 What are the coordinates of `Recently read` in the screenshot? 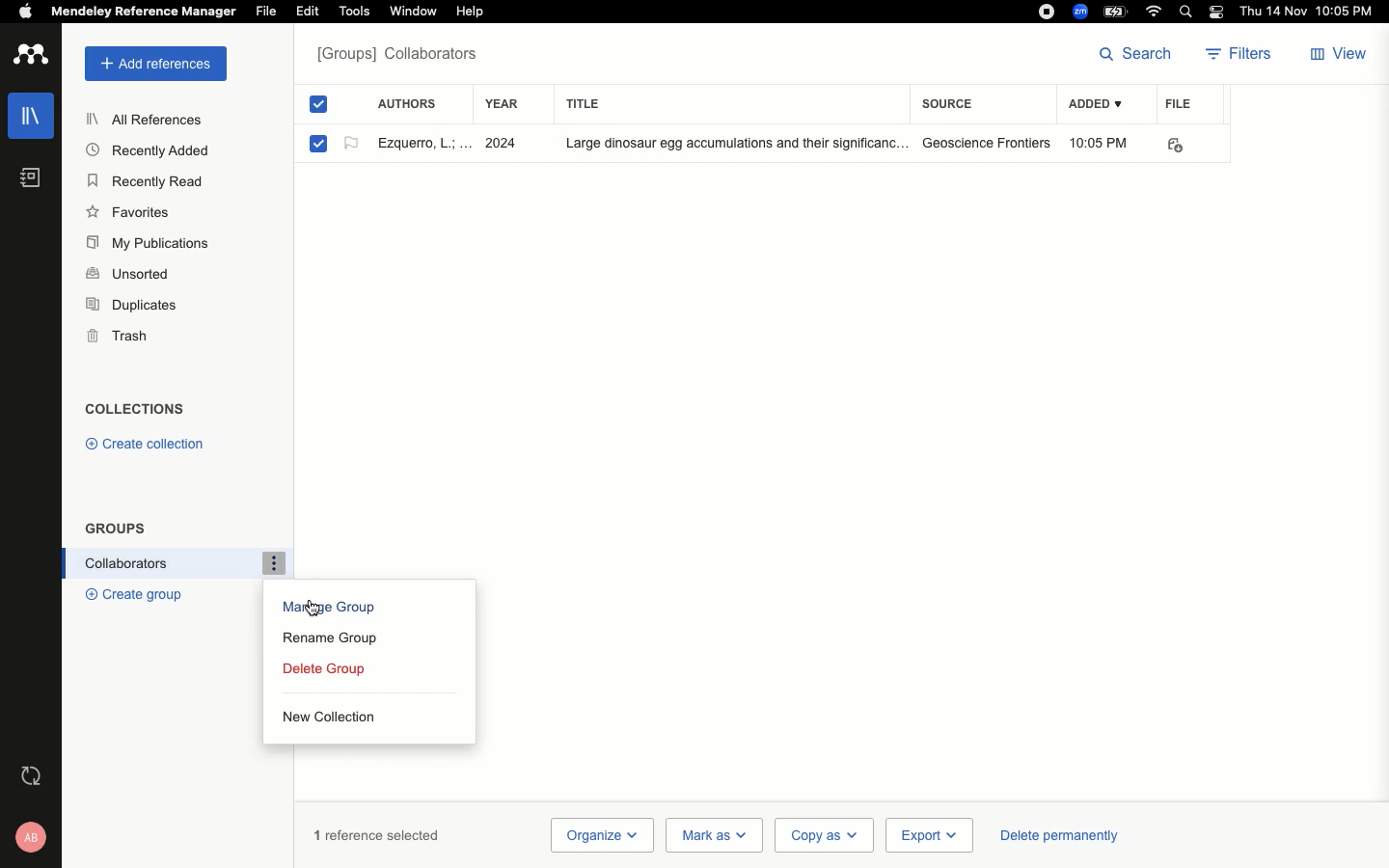 It's located at (146, 182).